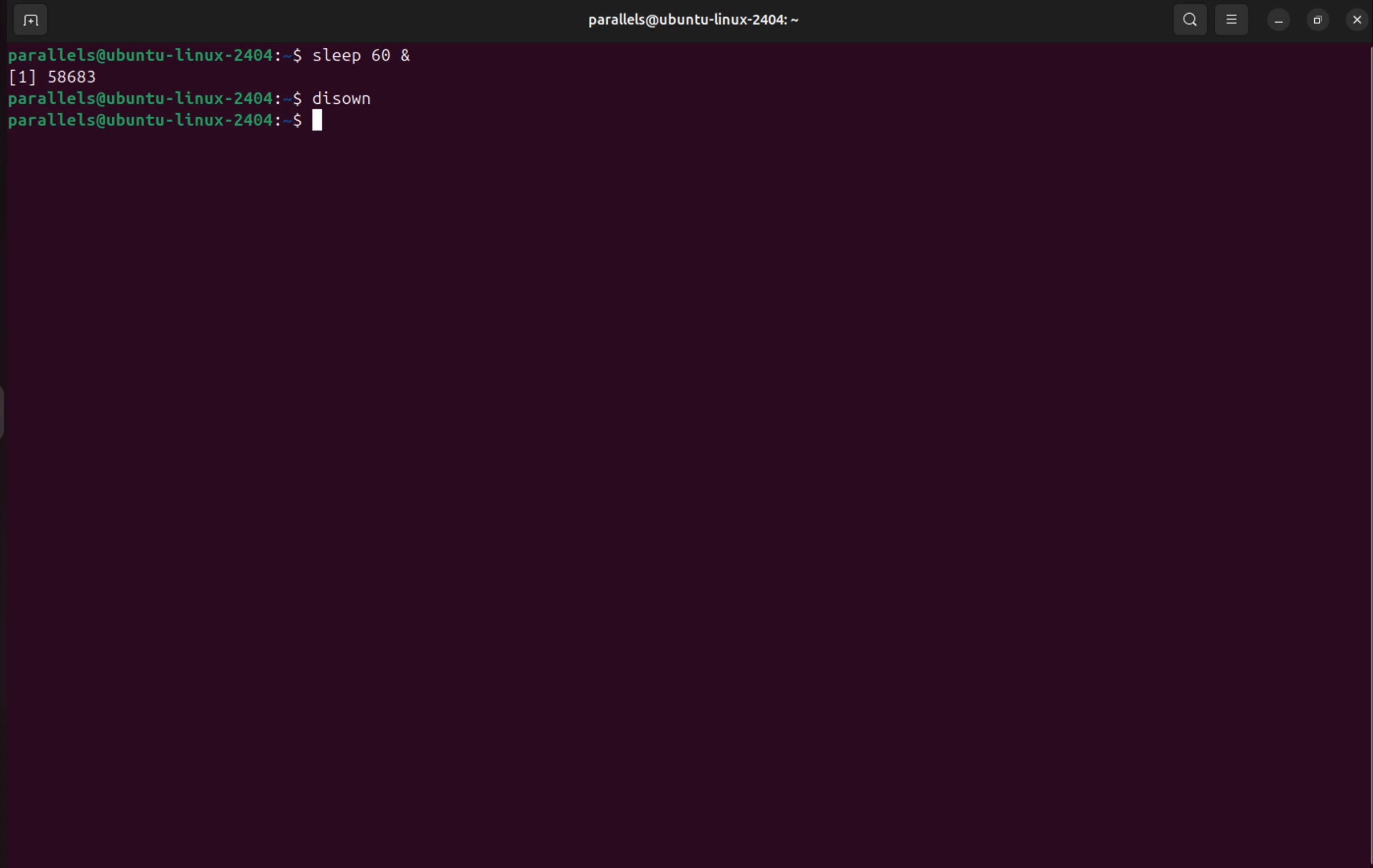 Image resolution: width=1373 pixels, height=868 pixels. Describe the element at coordinates (28, 22) in the screenshot. I see `add terminal` at that location.